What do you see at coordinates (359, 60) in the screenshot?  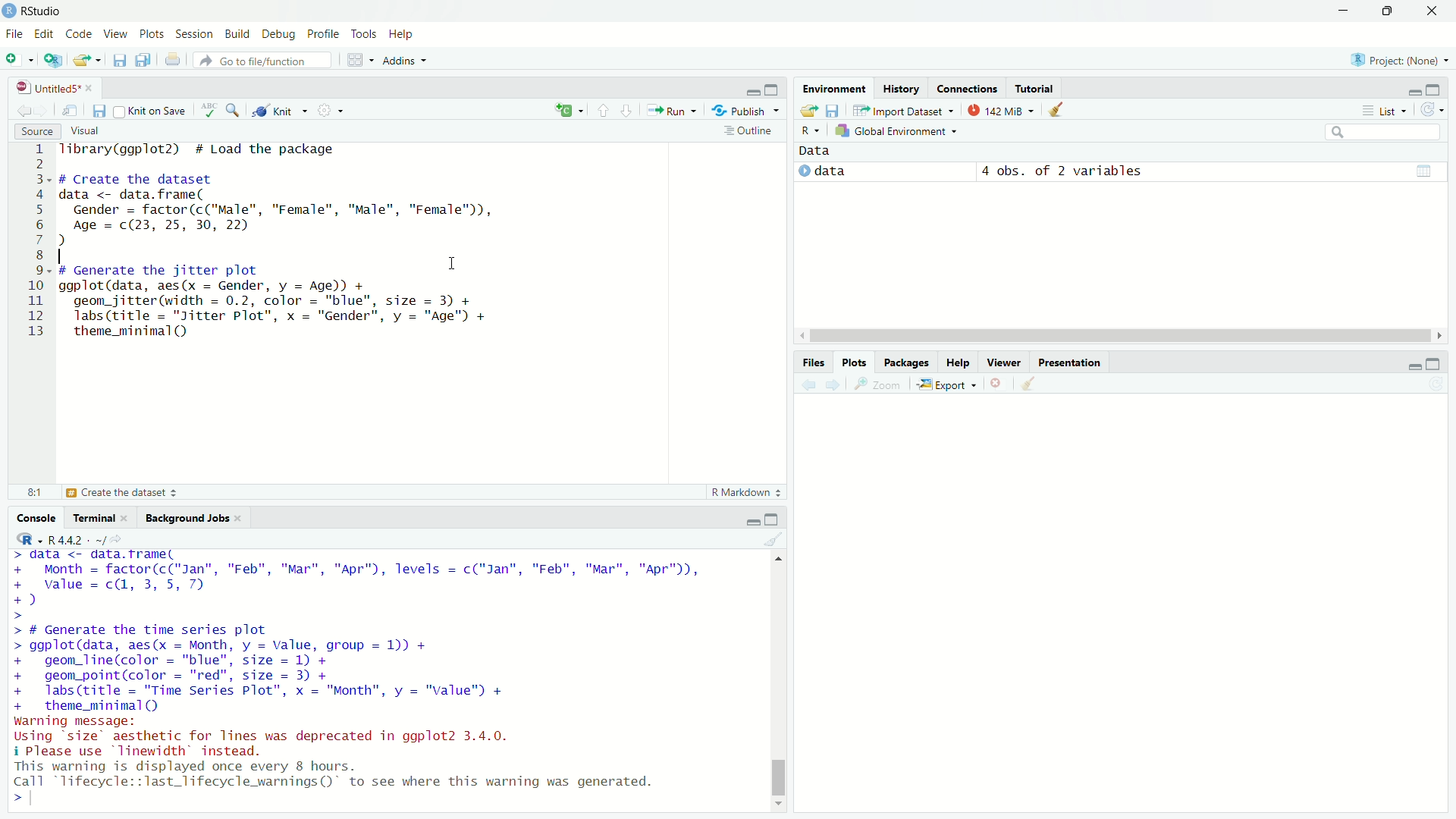 I see `workspace panes` at bounding box center [359, 60].